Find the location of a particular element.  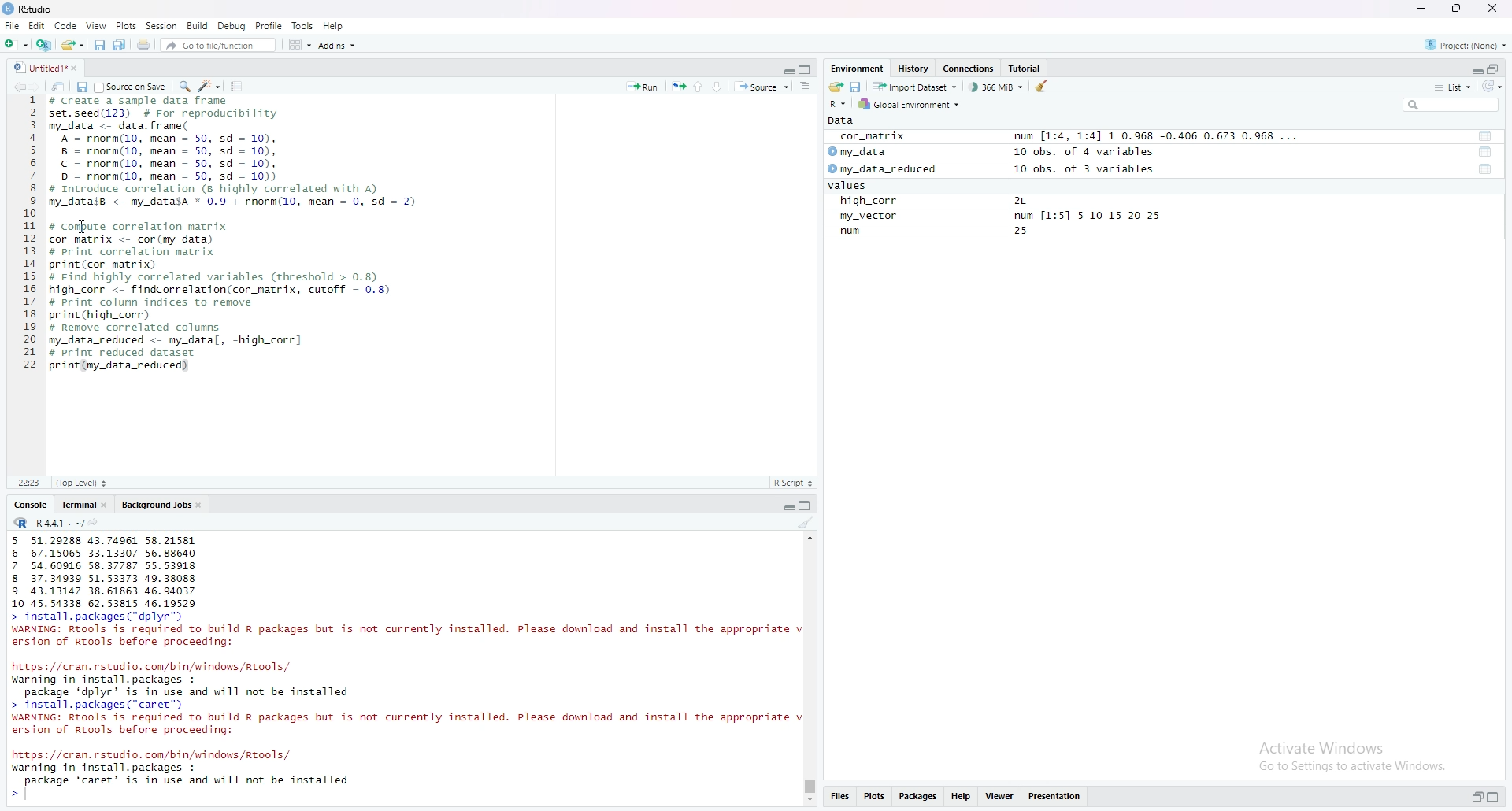

Global Environment  is located at coordinates (910, 103).